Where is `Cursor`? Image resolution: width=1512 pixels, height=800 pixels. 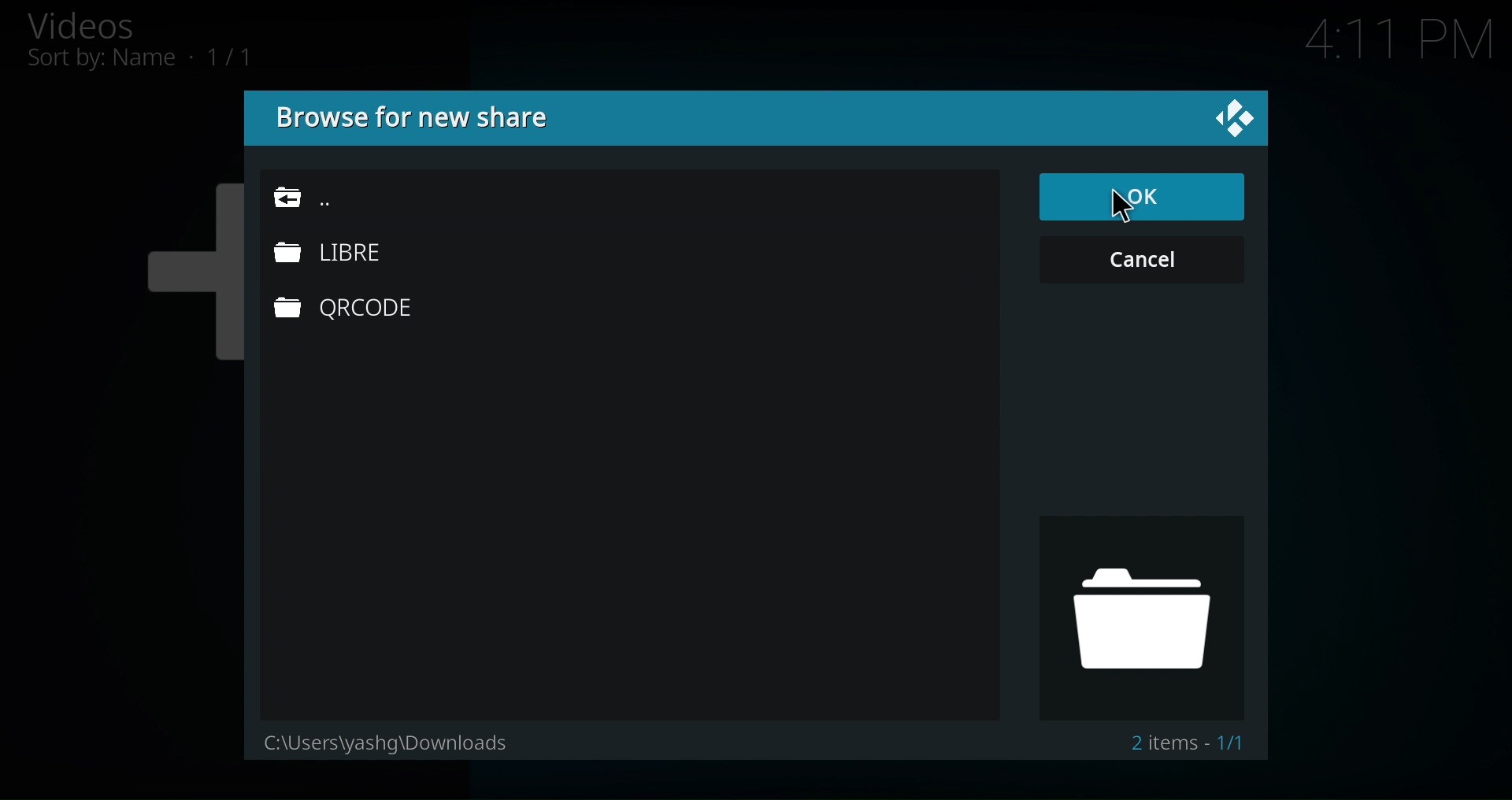
Cursor is located at coordinates (1125, 206).